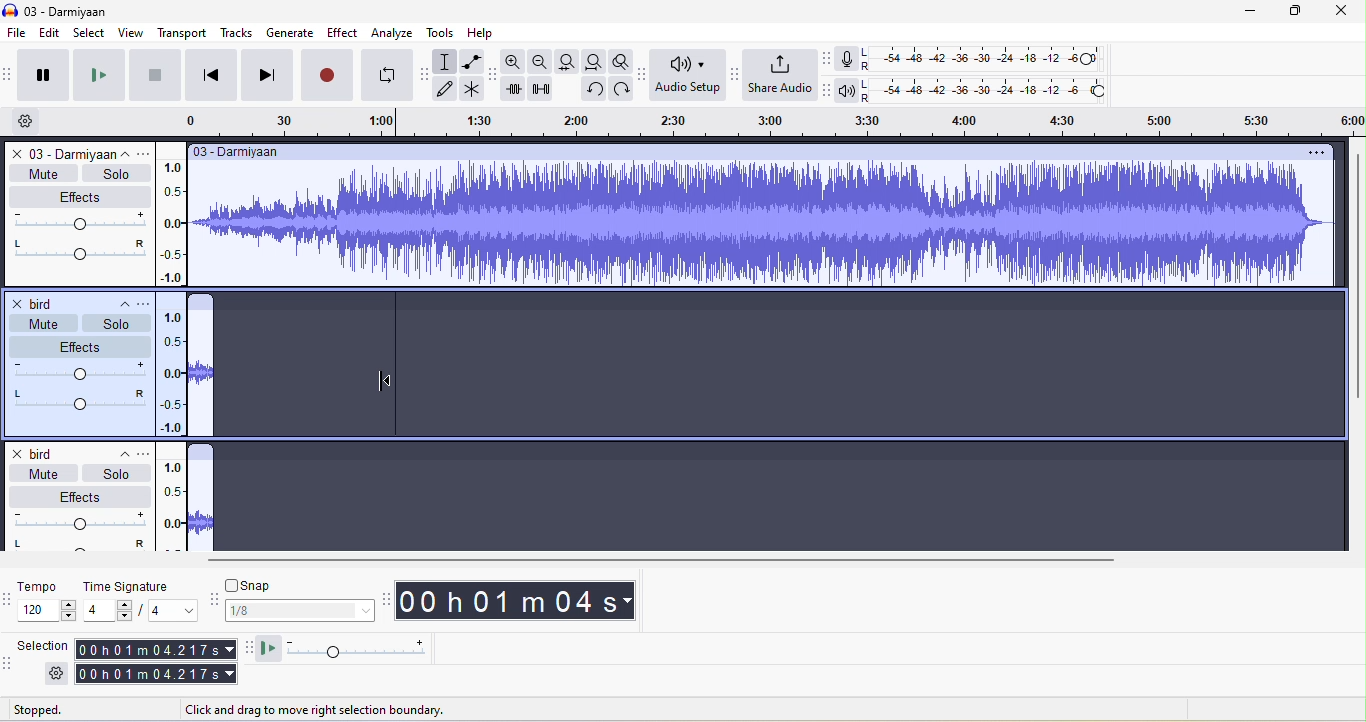 The image size is (1366, 722). Describe the element at coordinates (339, 34) in the screenshot. I see `effect` at that location.